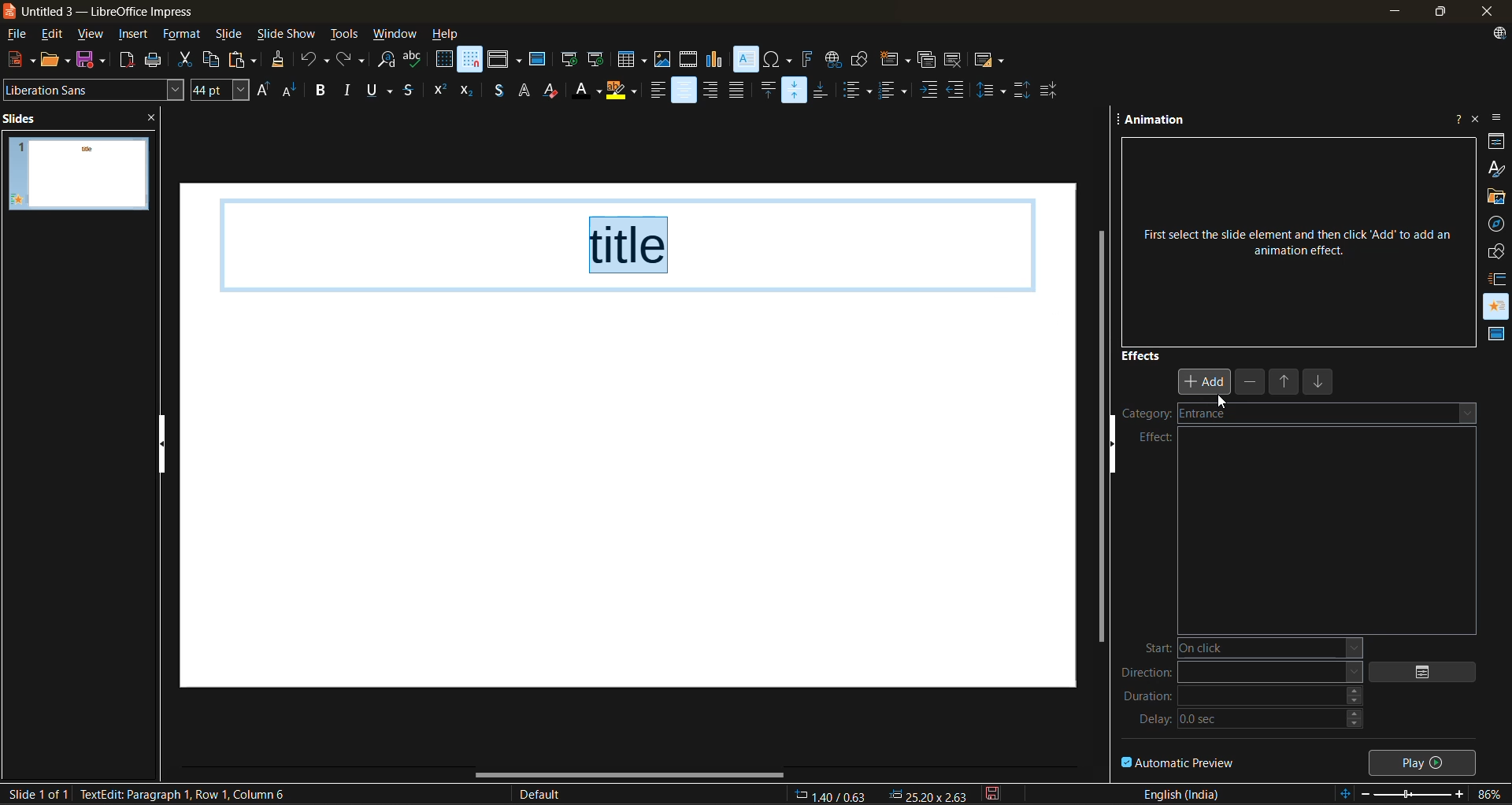  I want to click on slide, so click(78, 174).